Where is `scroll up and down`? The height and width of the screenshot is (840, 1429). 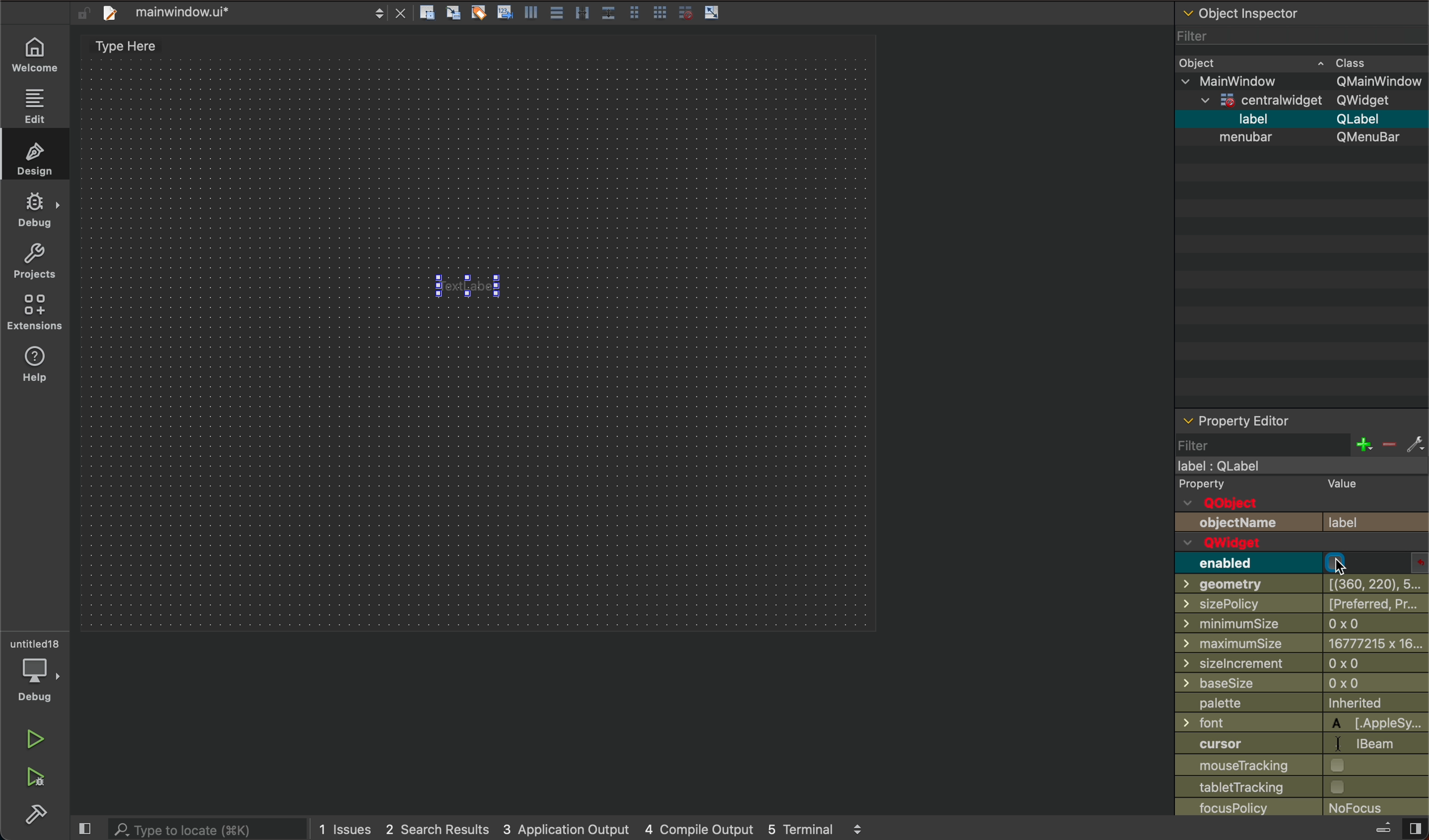 scroll up and down is located at coordinates (859, 828).